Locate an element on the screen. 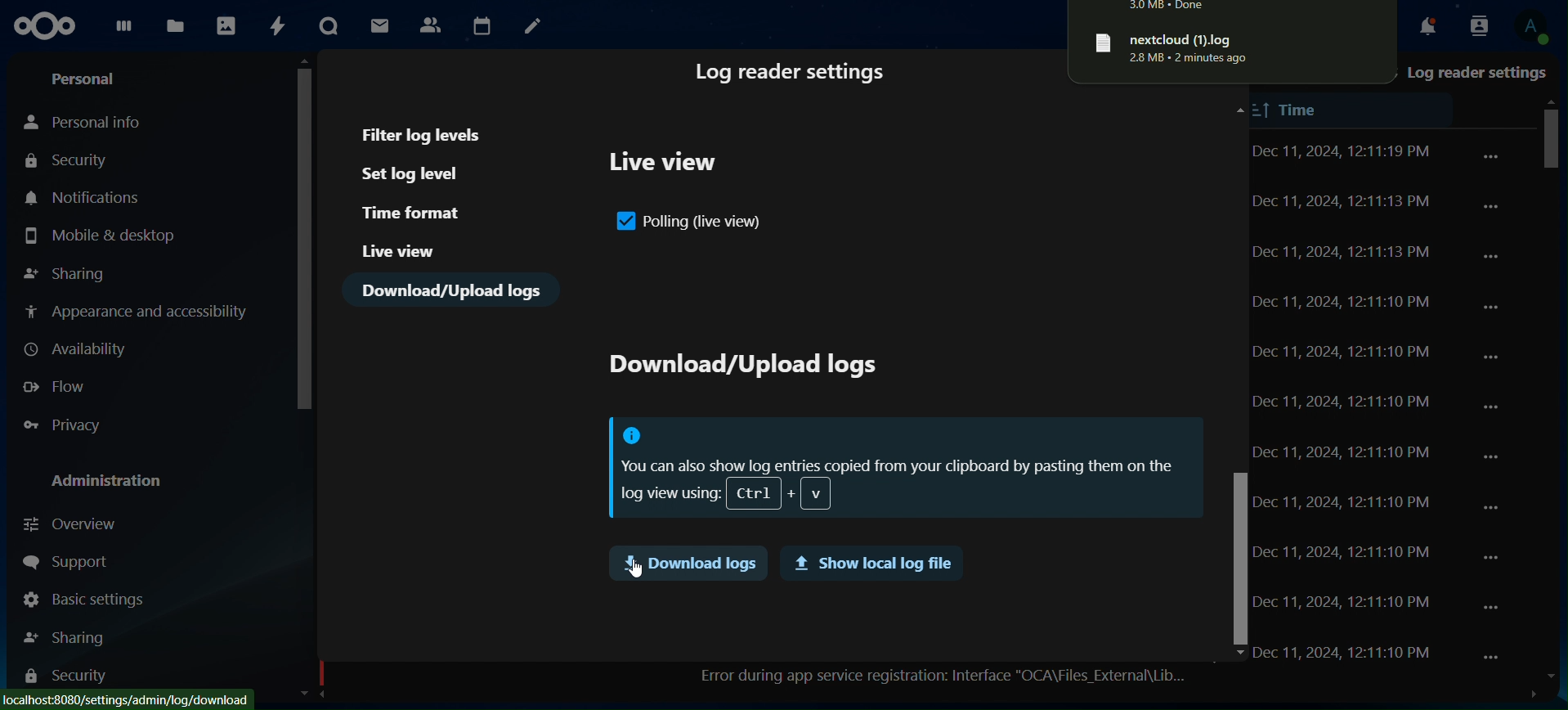 This screenshot has height=710, width=1568. scrollbar is located at coordinates (1236, 556).